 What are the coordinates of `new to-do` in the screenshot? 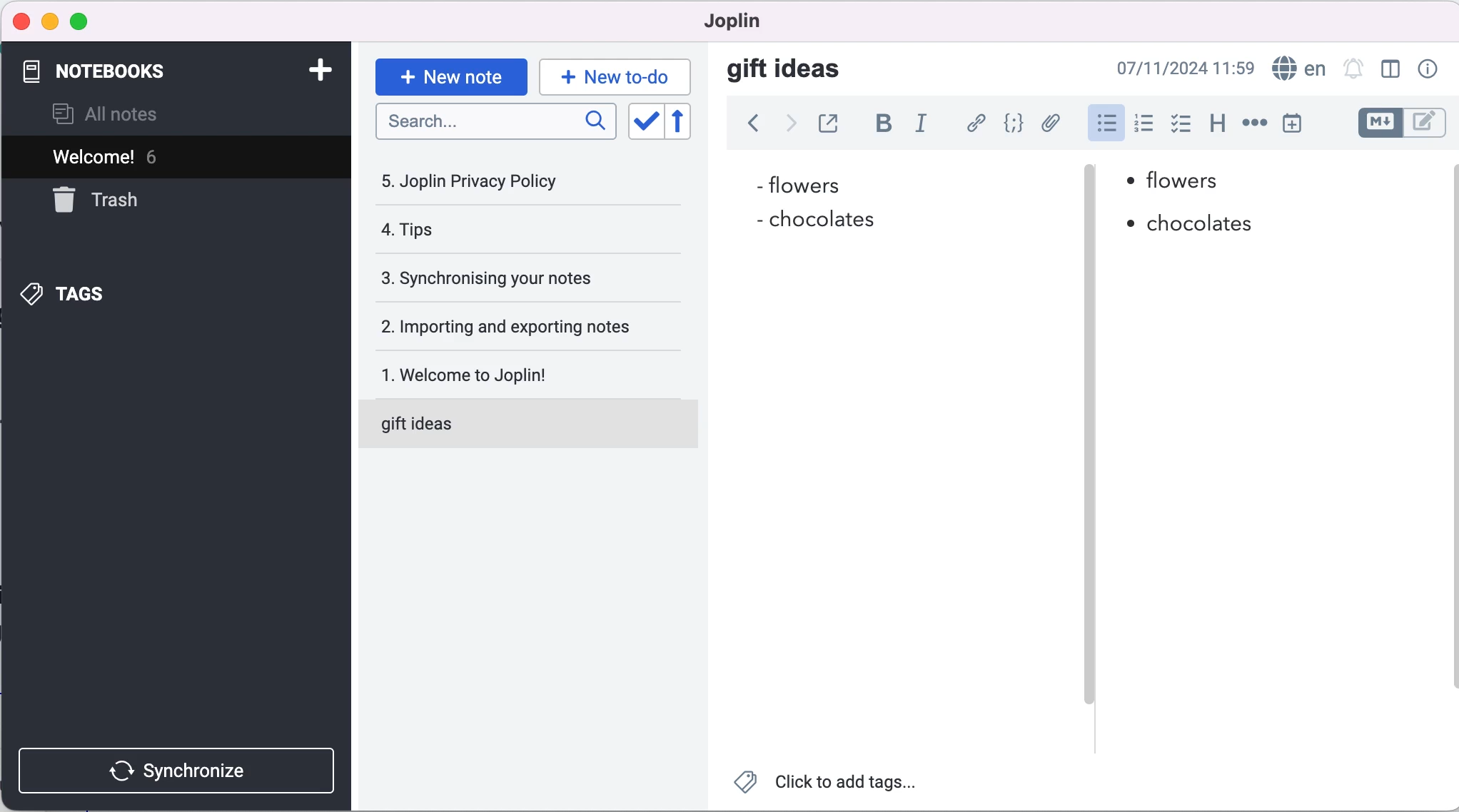 It's located at (618, 73).